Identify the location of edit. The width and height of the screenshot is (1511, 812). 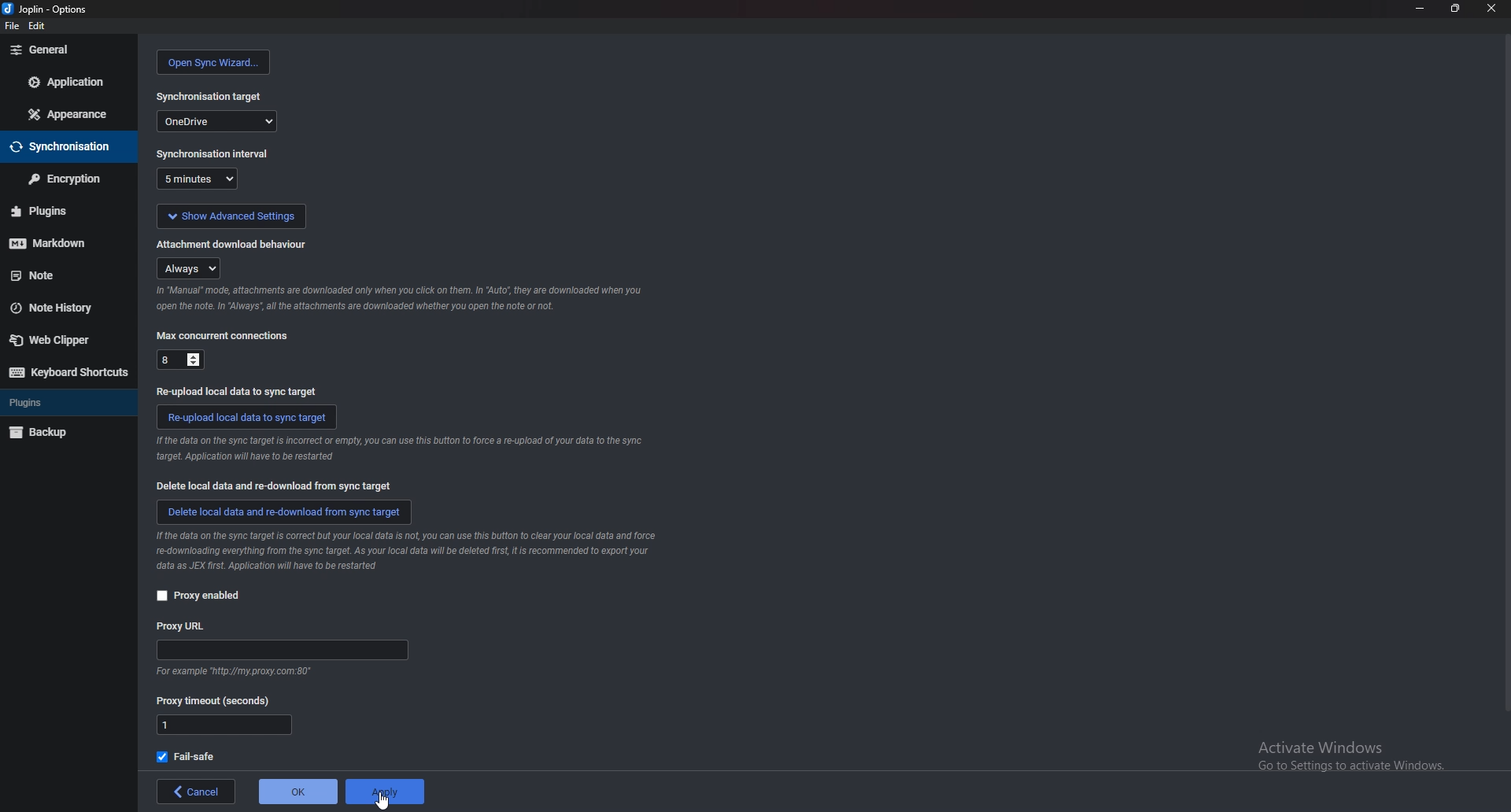
(38, 24).